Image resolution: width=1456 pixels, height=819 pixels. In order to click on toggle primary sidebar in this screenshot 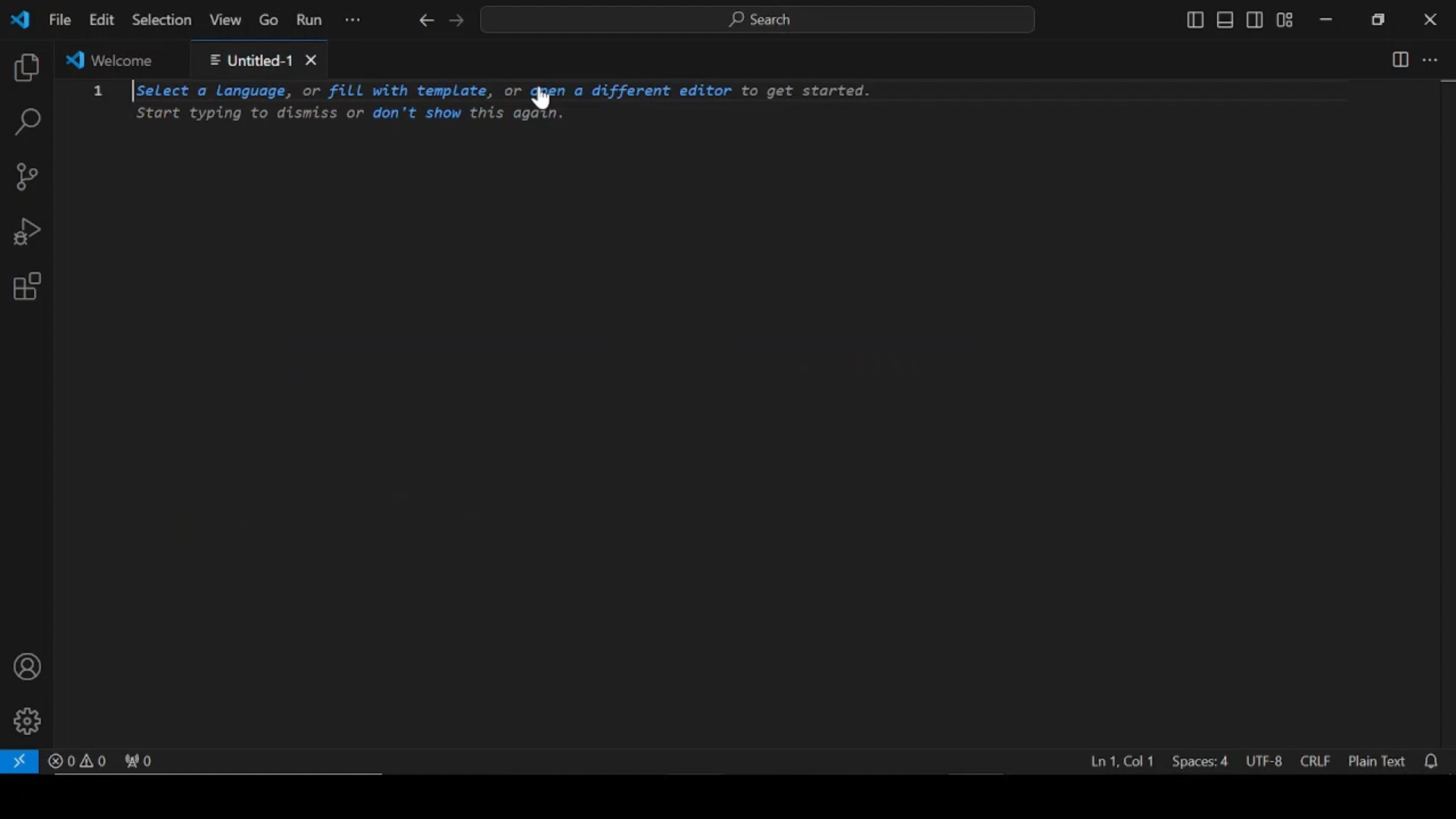, I will do `click(1193, 20)`.